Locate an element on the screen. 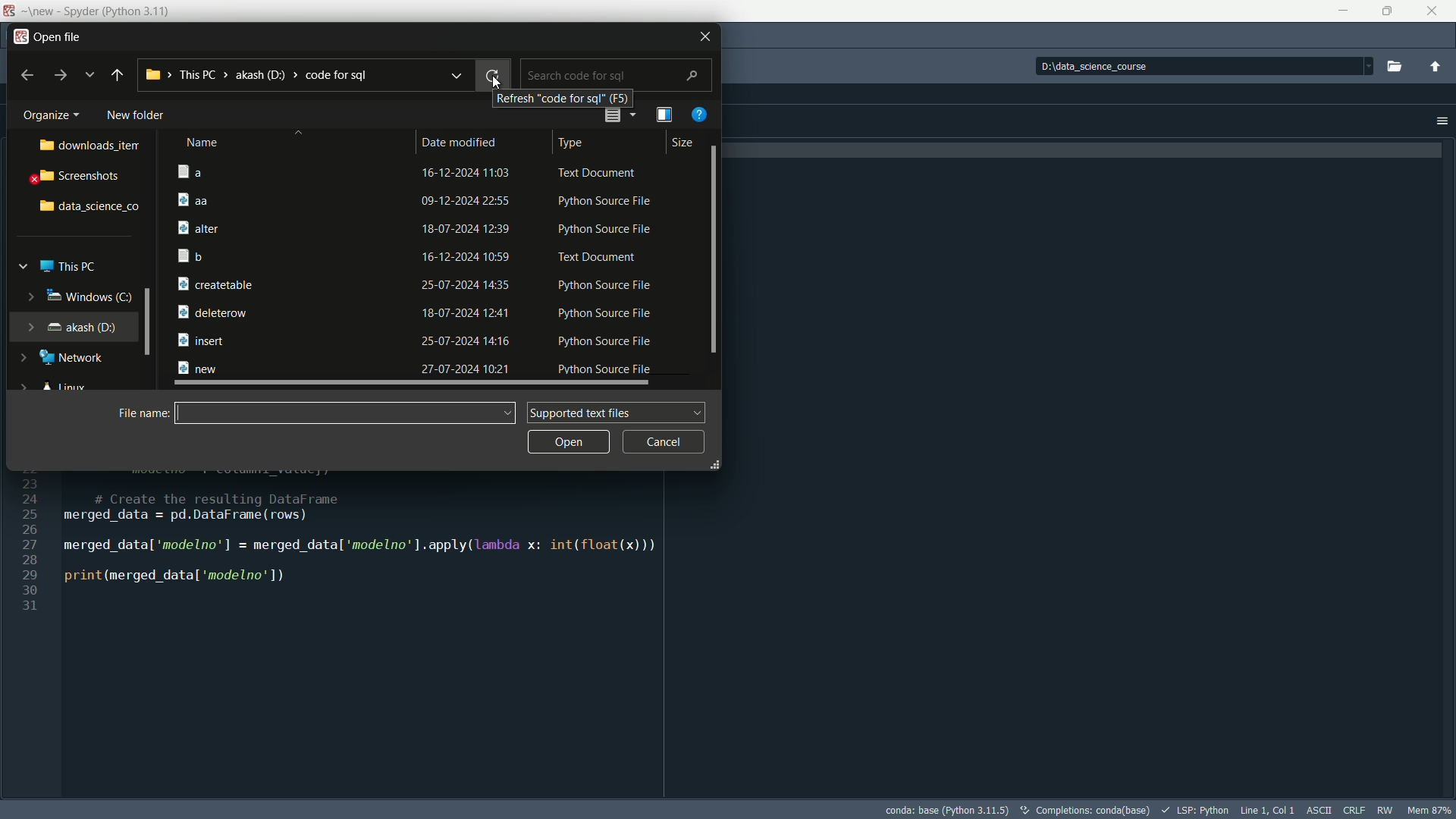  file-1 is located at coordinates (416, 199).